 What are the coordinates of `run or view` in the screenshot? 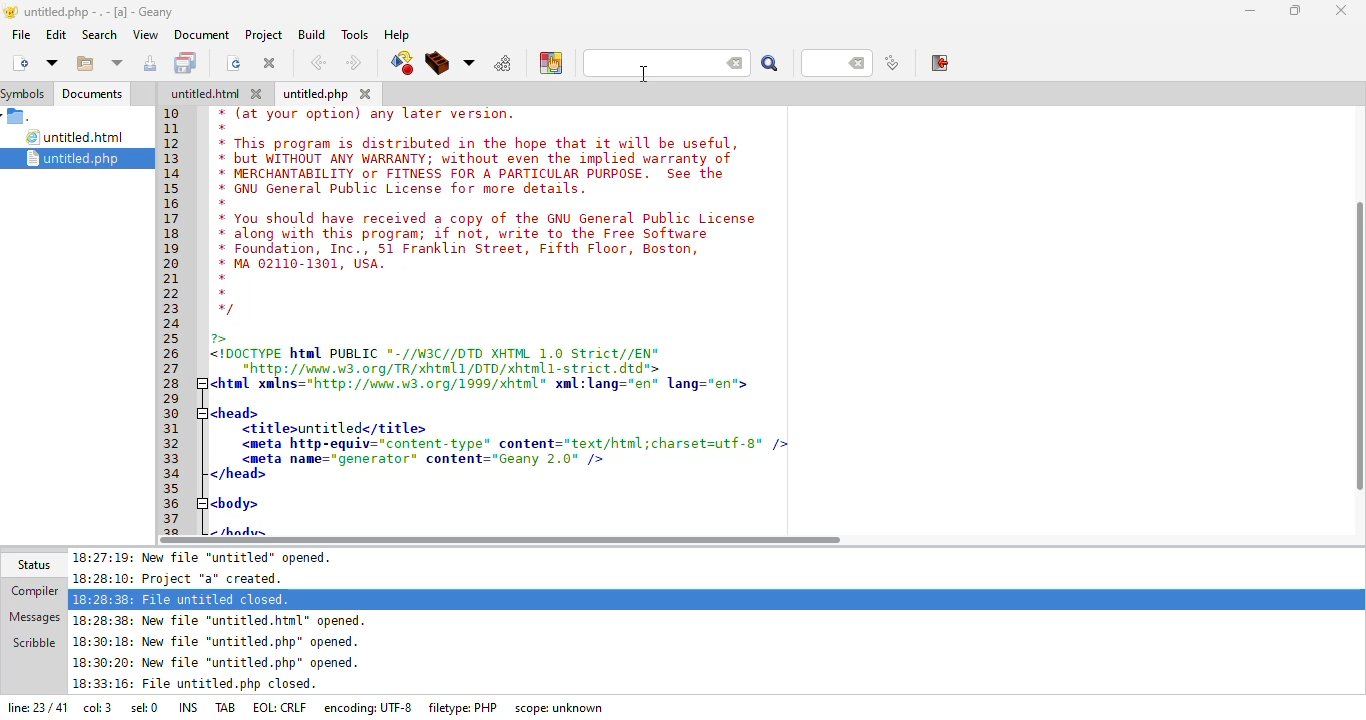 It's located at (504, 63).